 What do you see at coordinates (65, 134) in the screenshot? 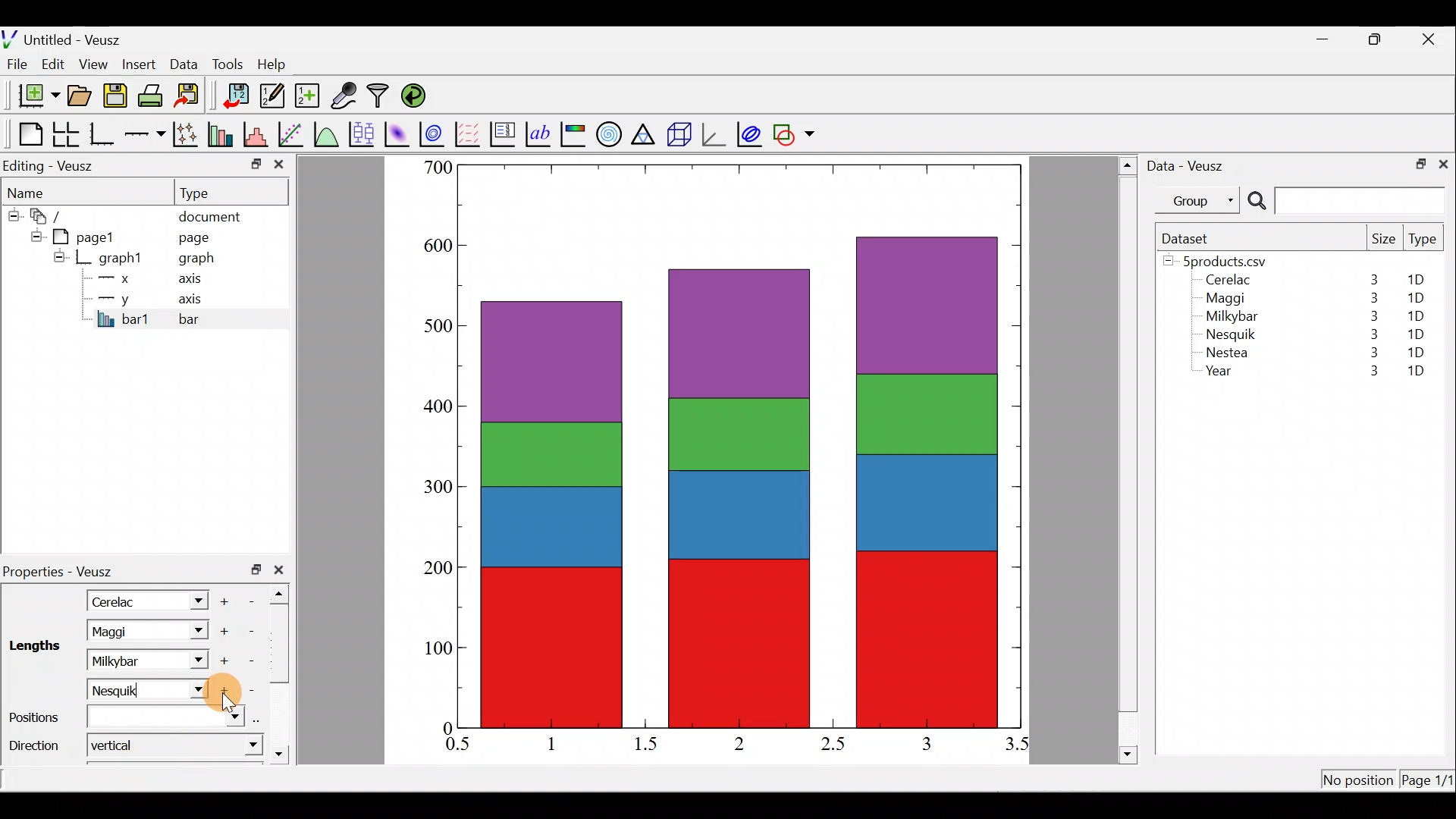
I see `Arrange graphs in a grid` at bounding box center [65, 134].